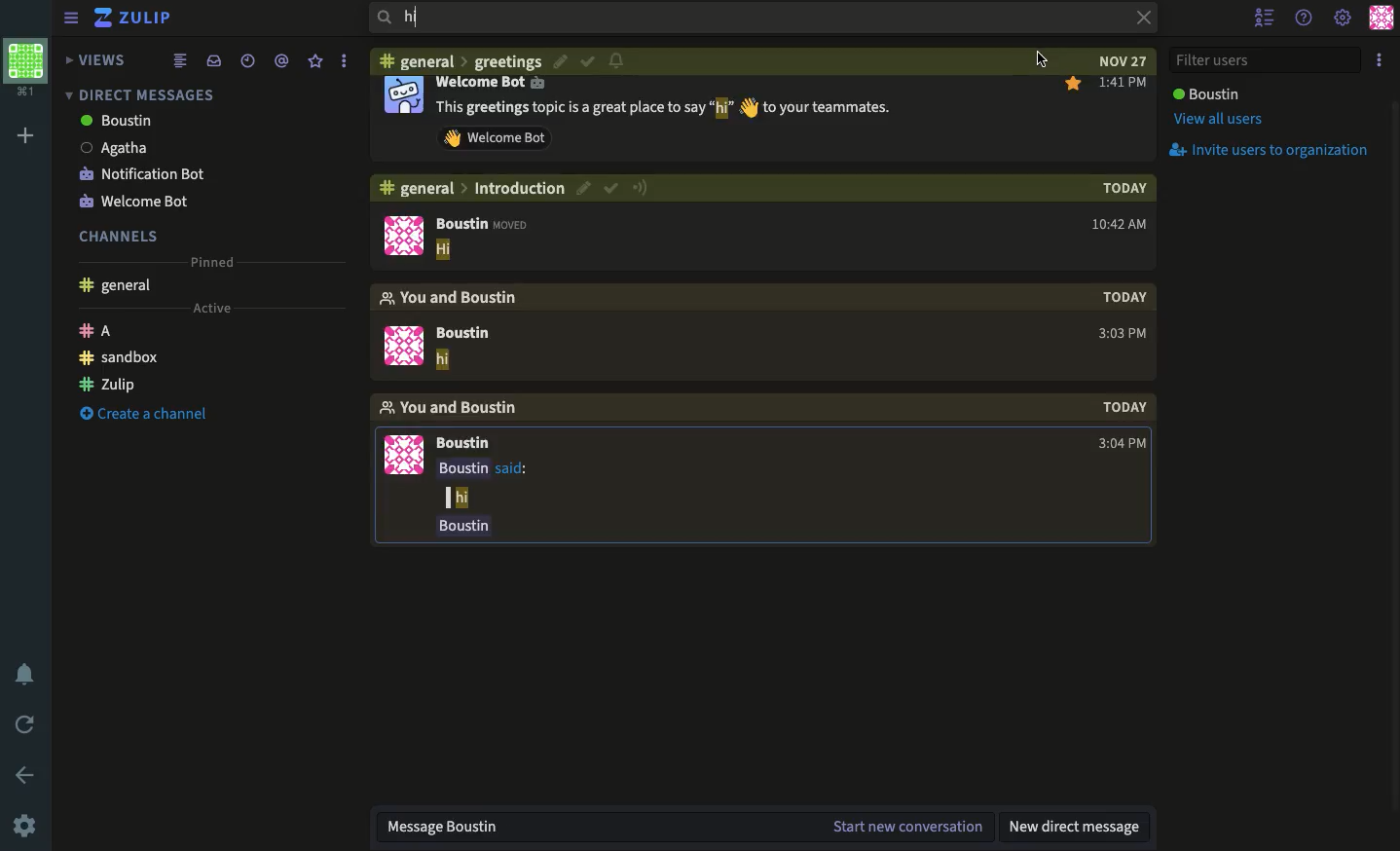 Image resolution: width=1400 pixels, height=851 pixels. What do you see at coordinates (29, 674) in the screenshot?
I see `Notification` at bounding box center [29, 674].